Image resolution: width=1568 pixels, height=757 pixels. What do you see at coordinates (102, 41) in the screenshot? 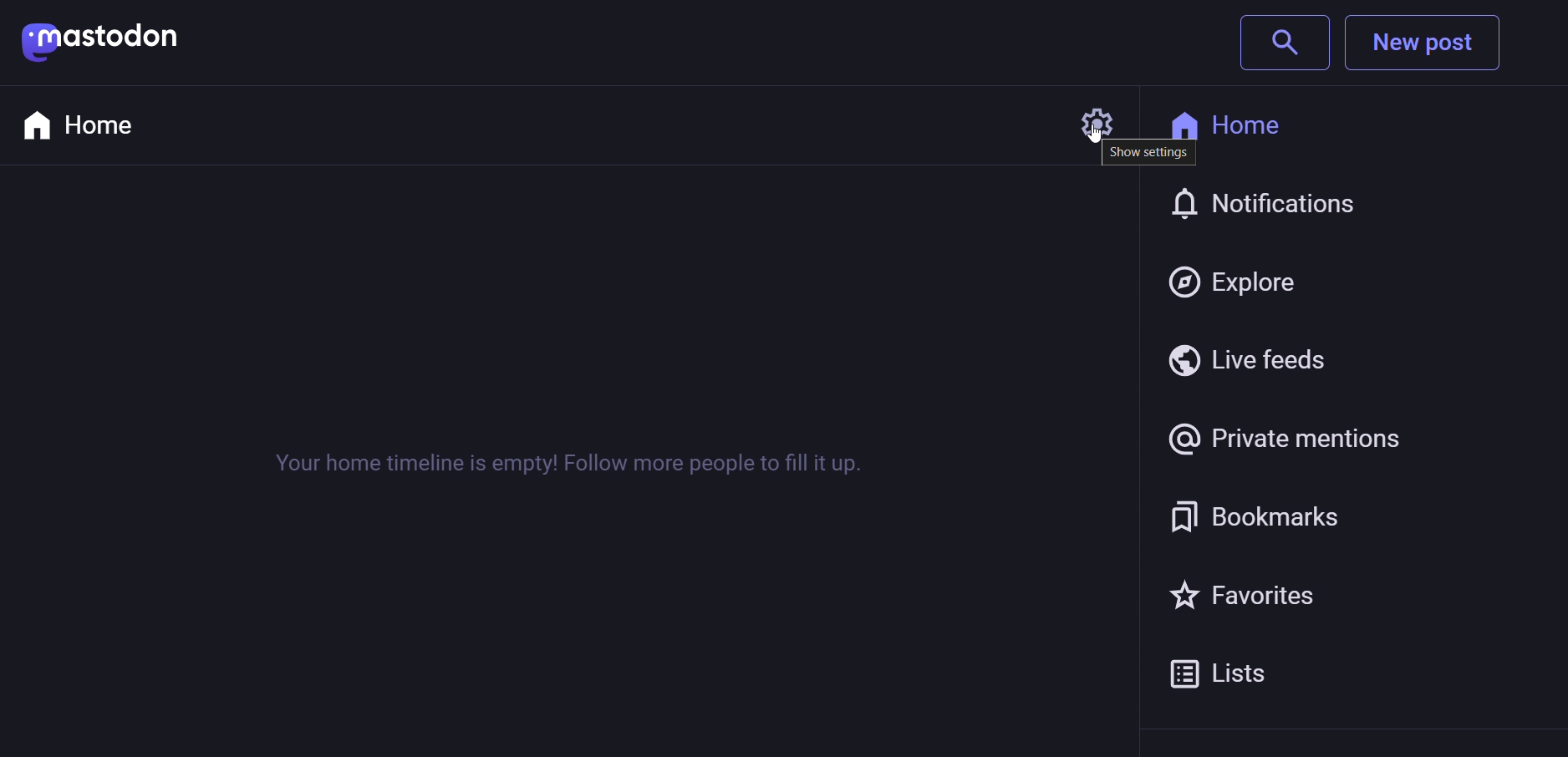
I see `mastodon` at bounding box center [102, 41].